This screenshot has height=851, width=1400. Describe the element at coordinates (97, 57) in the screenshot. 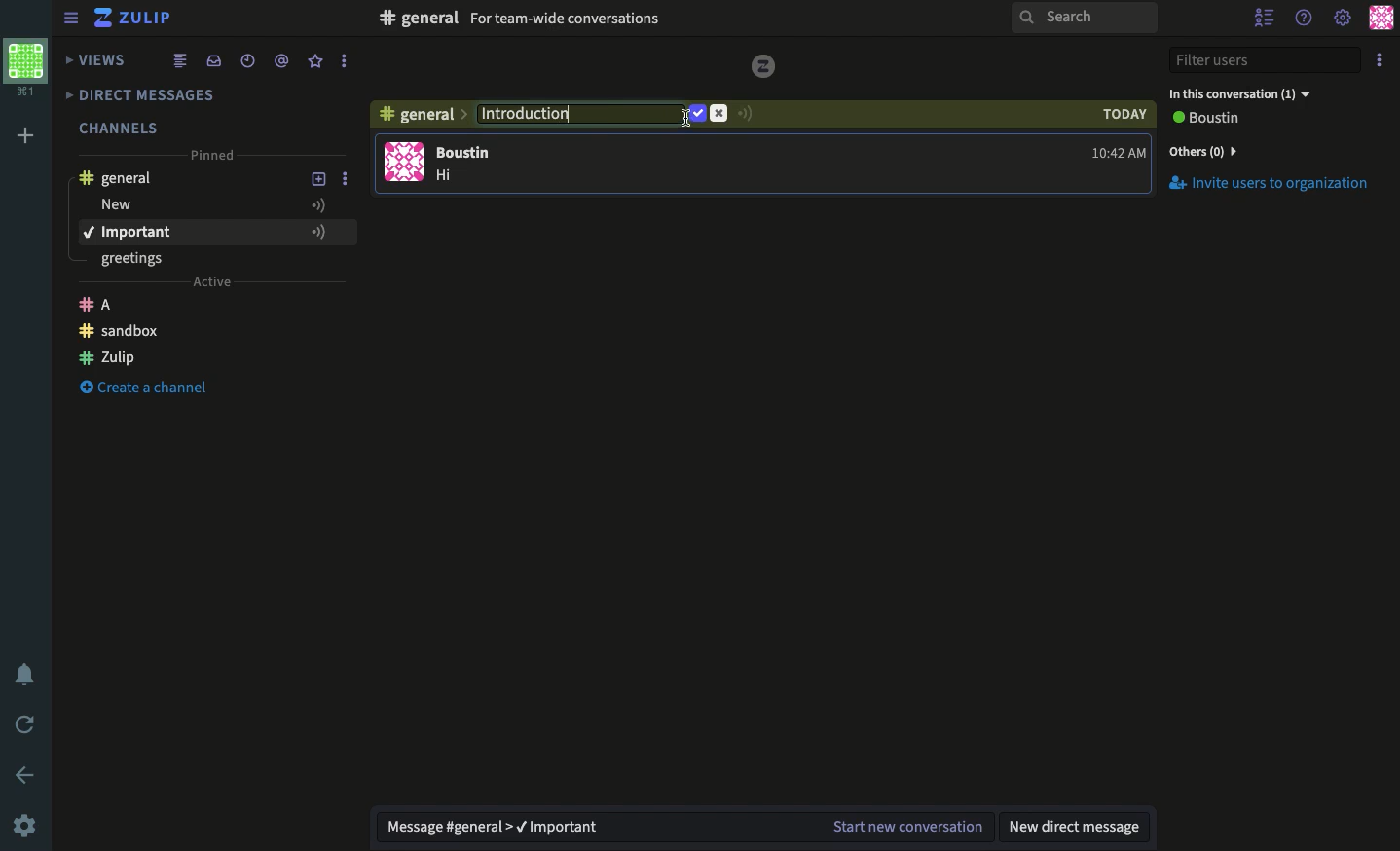

I see `Views` at that location.